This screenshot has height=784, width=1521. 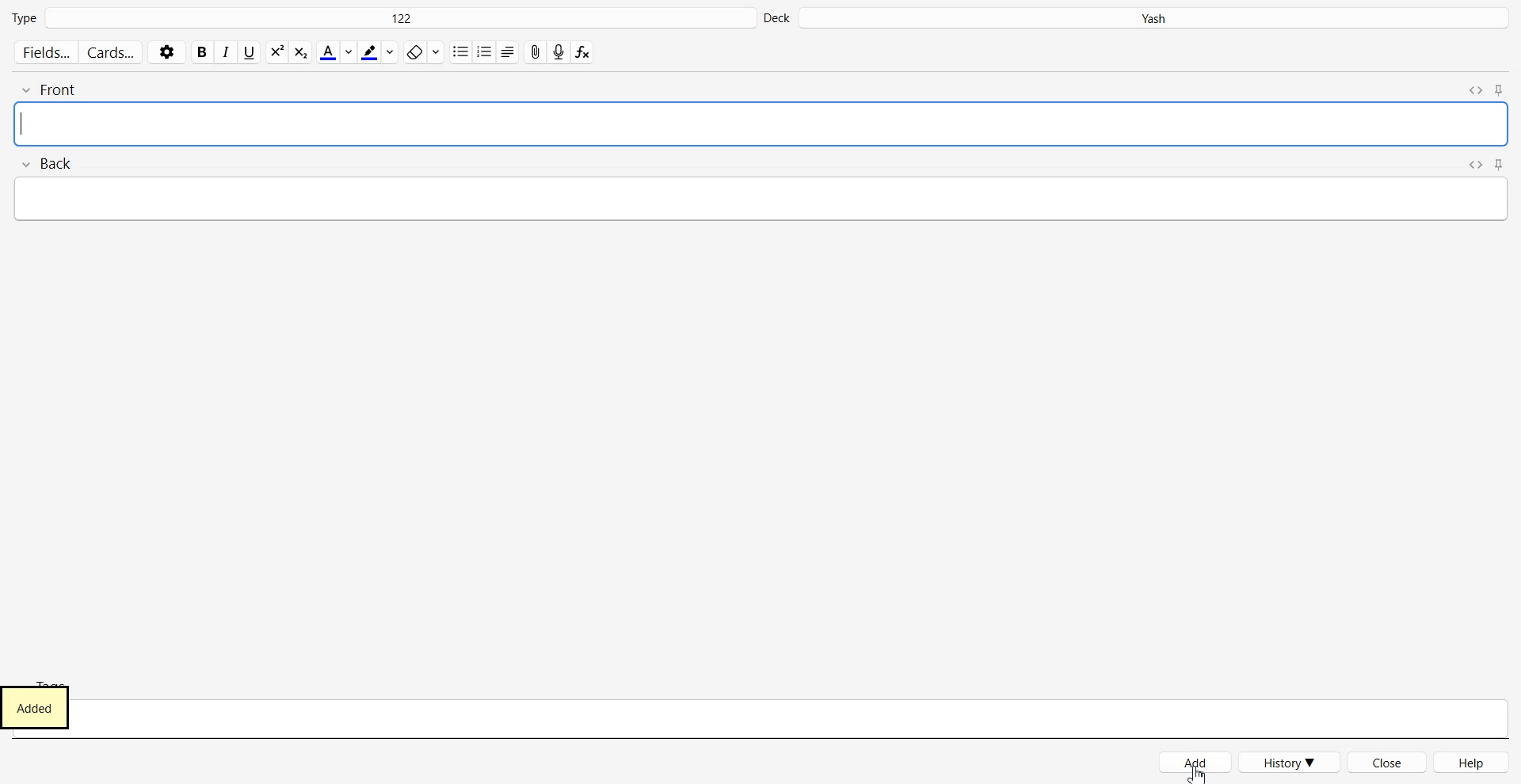 What do you see at coordinates (507, 51) in the screenshot?
I see `Alignment` at bounding box center [507, 51].